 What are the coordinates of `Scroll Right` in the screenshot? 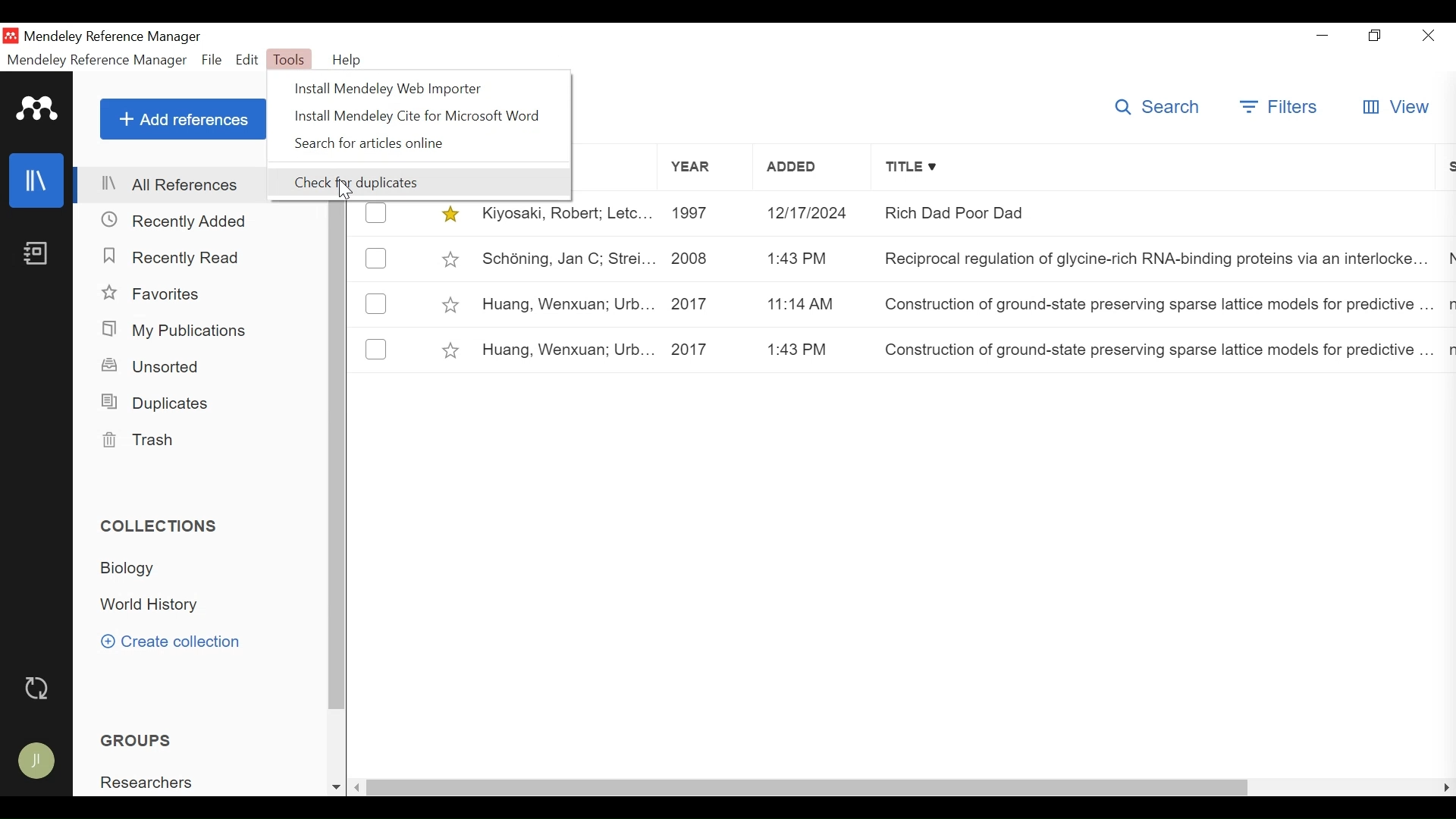 It's located at (1446, 789).